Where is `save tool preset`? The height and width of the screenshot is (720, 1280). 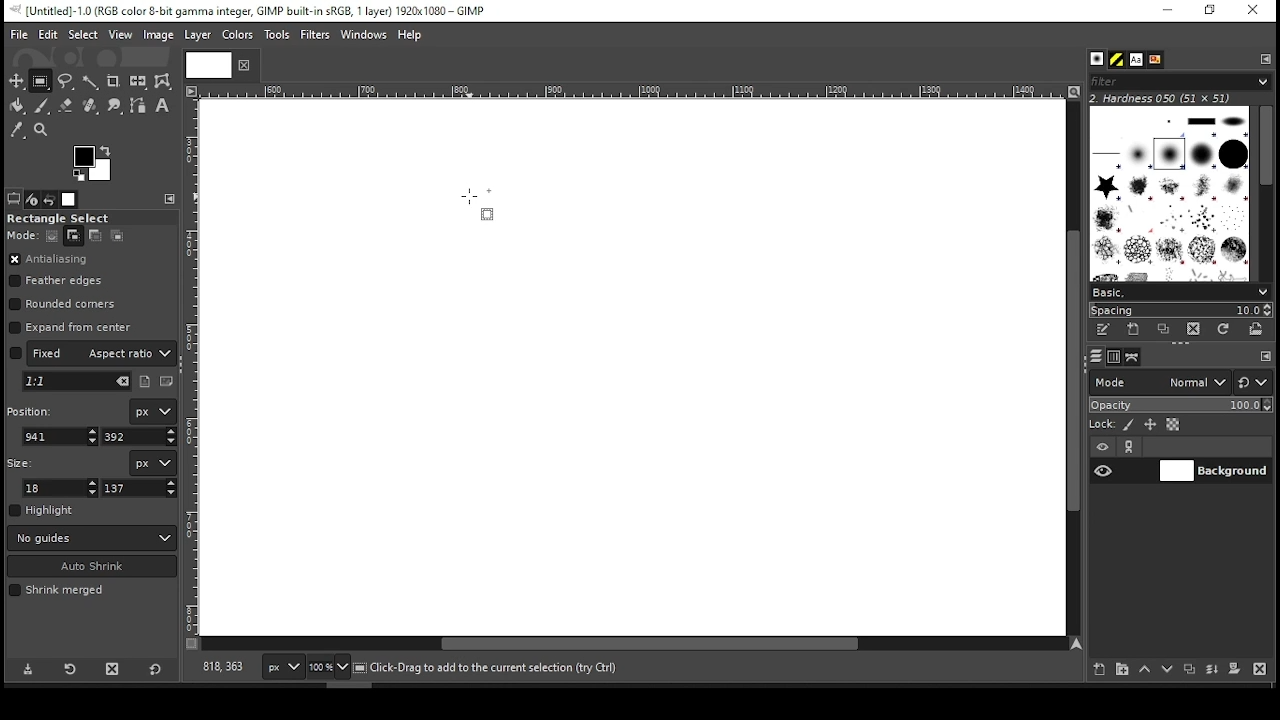
save tool preset is located at coordinates (30, 668).